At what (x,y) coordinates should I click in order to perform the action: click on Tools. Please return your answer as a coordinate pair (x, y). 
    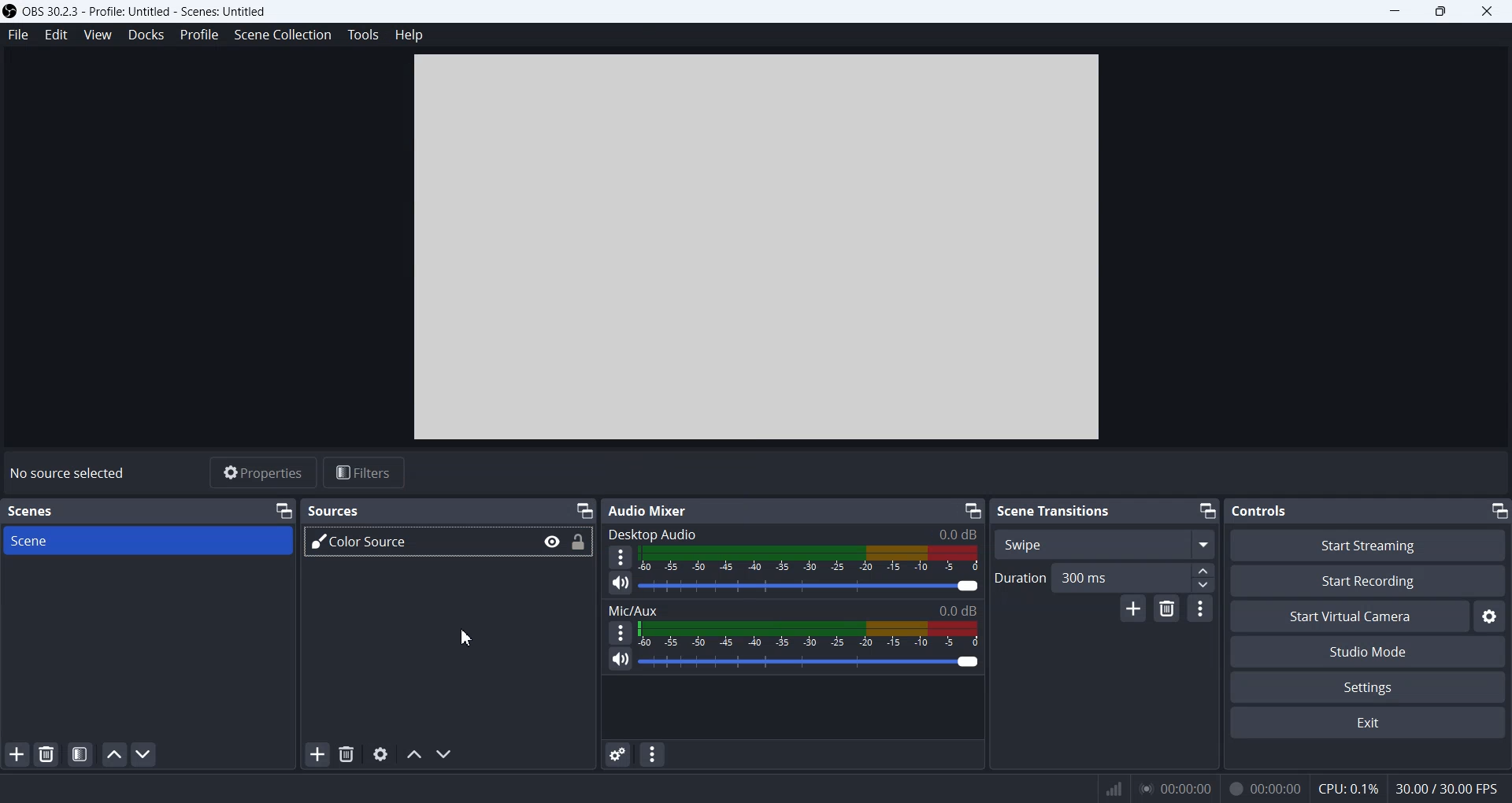
    Looking at the image, I should click on (365, 34).